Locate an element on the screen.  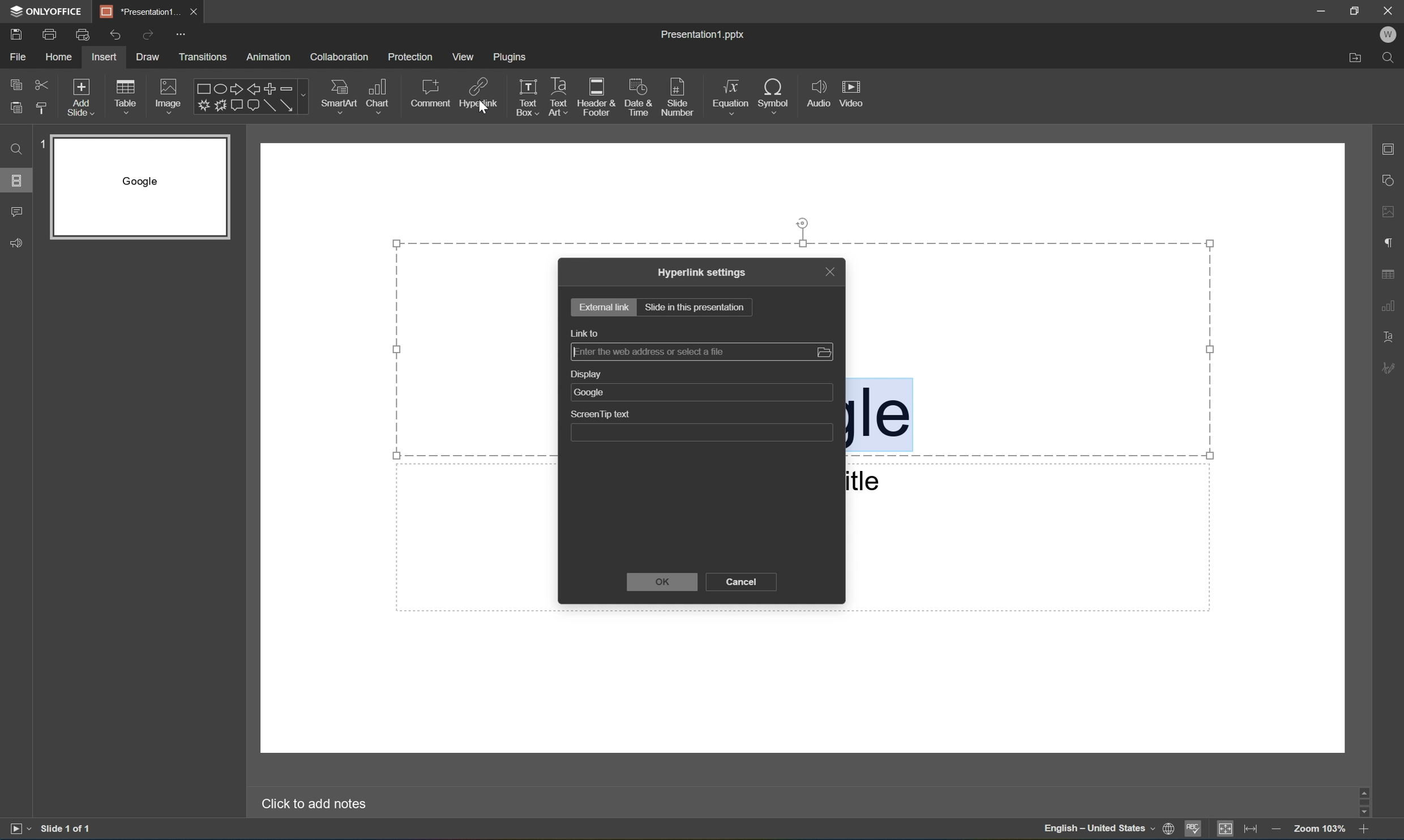
Find is located at coordinates (1390, 57).